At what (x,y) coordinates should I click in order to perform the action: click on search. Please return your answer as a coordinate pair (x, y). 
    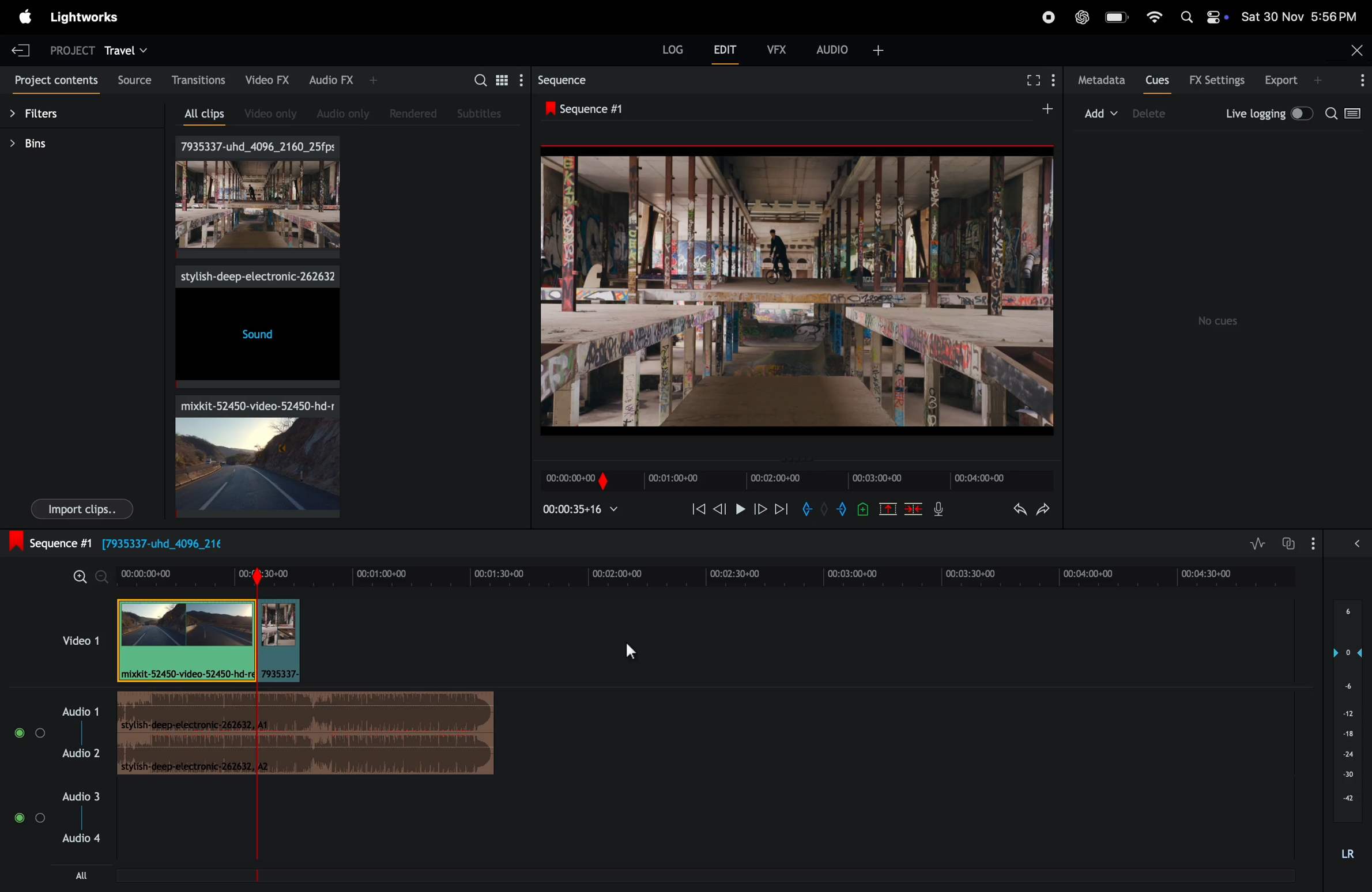
    Looking at the image, I should click on (488, 79).